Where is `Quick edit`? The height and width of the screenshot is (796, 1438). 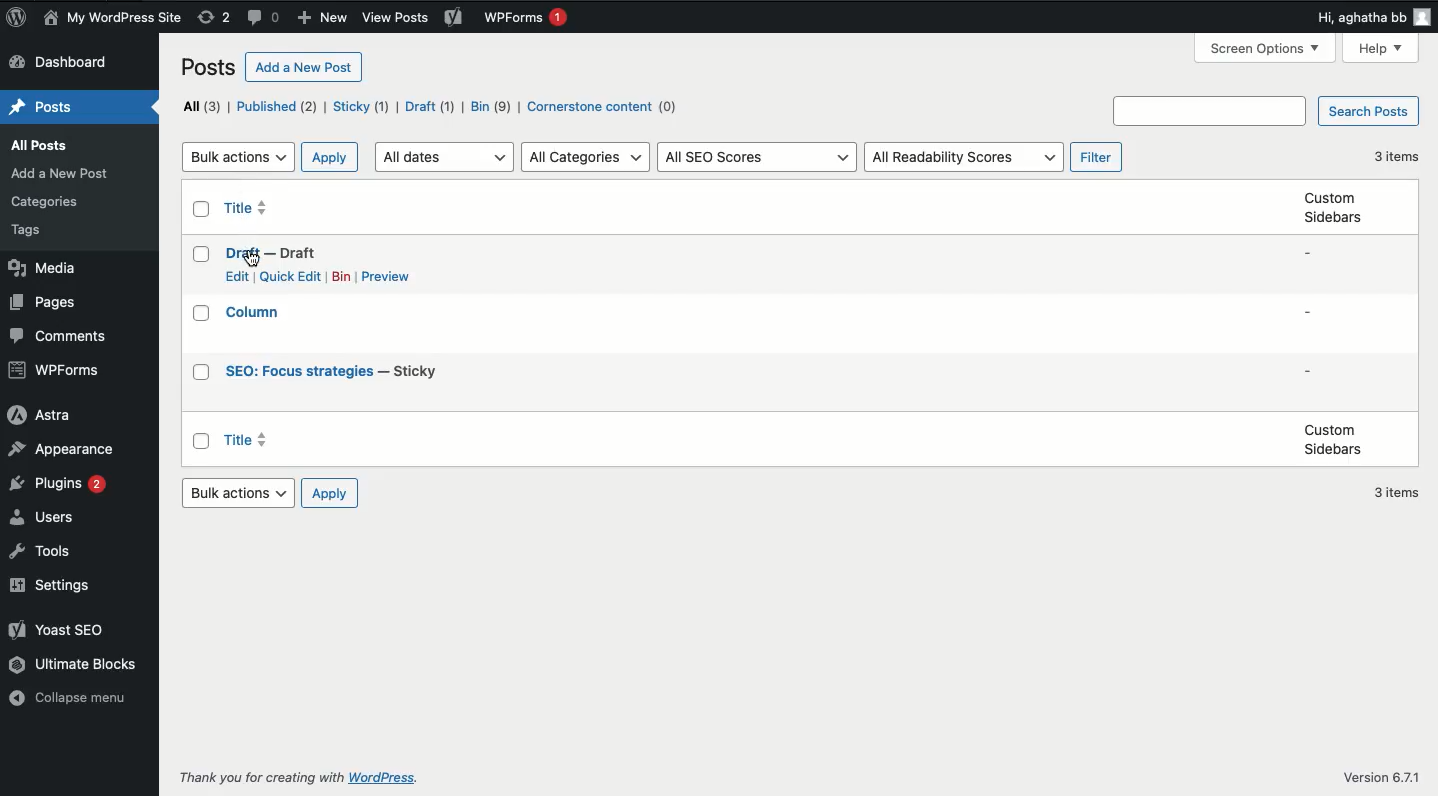 Quick edit is located at coordinates (291, 276).